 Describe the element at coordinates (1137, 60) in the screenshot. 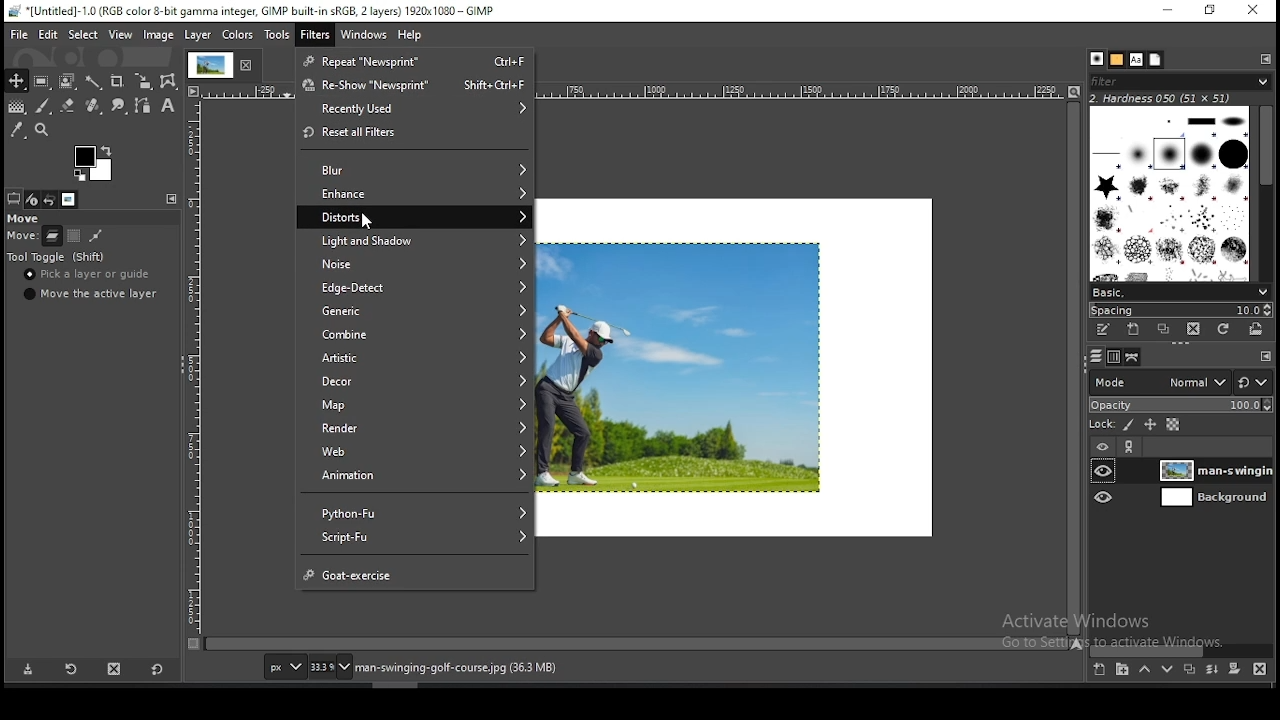

I see `fonts` at that location.